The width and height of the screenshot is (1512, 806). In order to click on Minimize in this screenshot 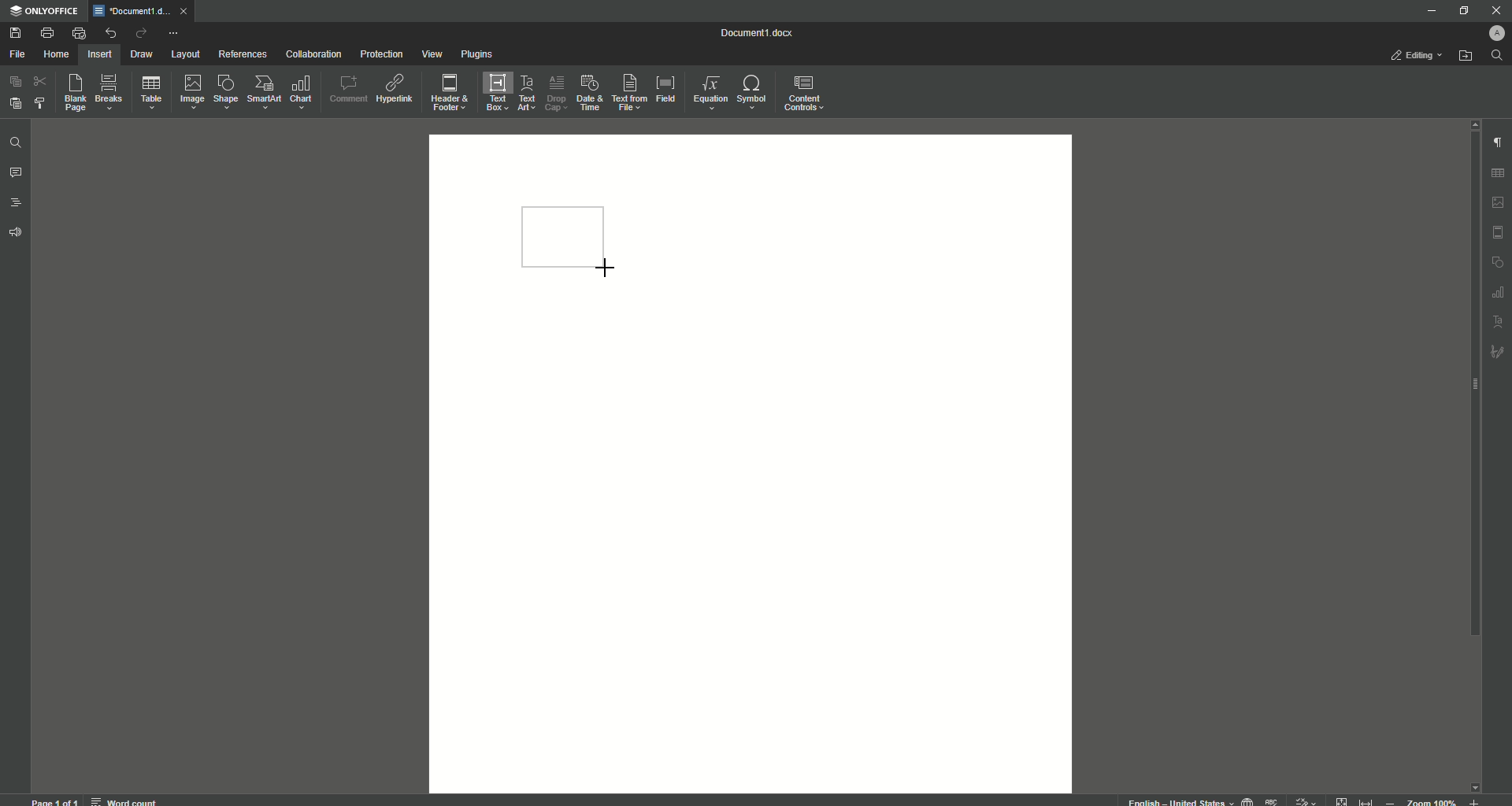, I will do `click(1427, 10)`.